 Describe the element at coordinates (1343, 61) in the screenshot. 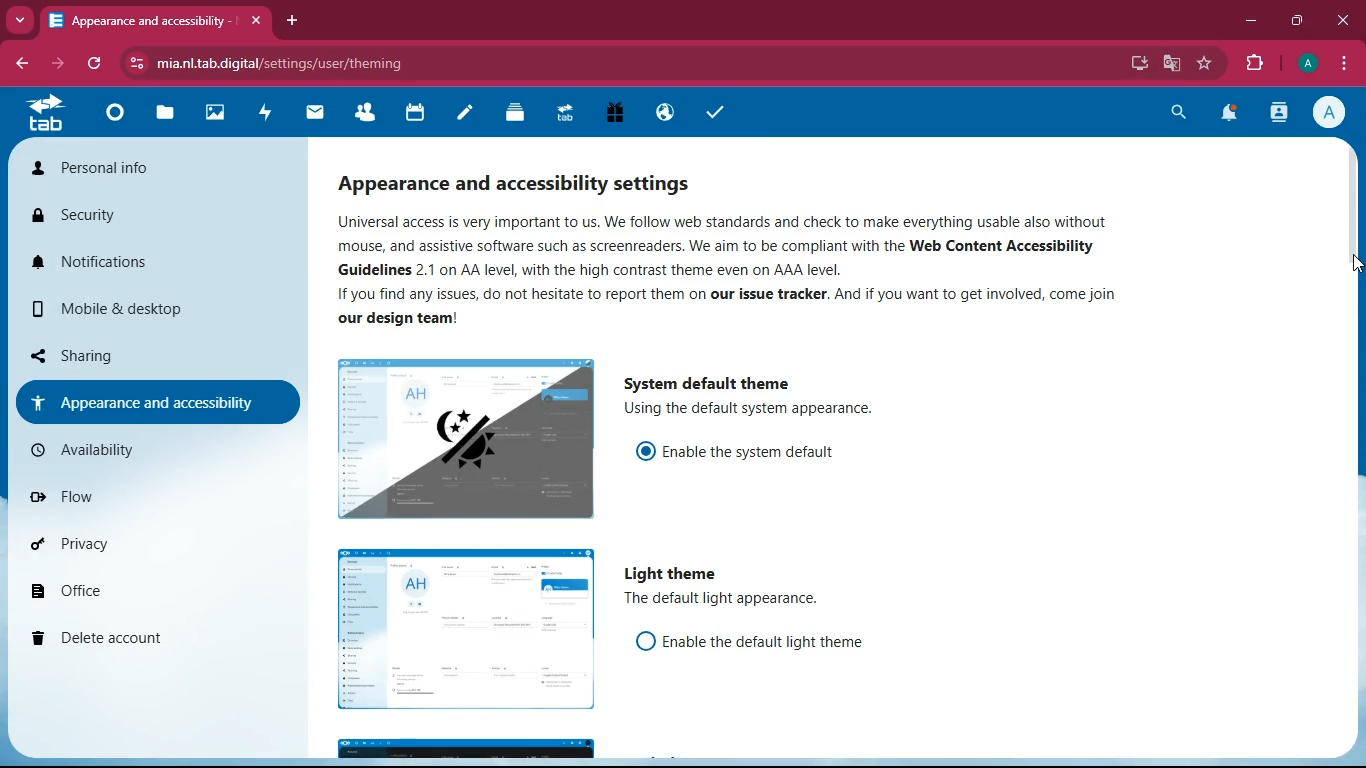

I see `menu` at that location.